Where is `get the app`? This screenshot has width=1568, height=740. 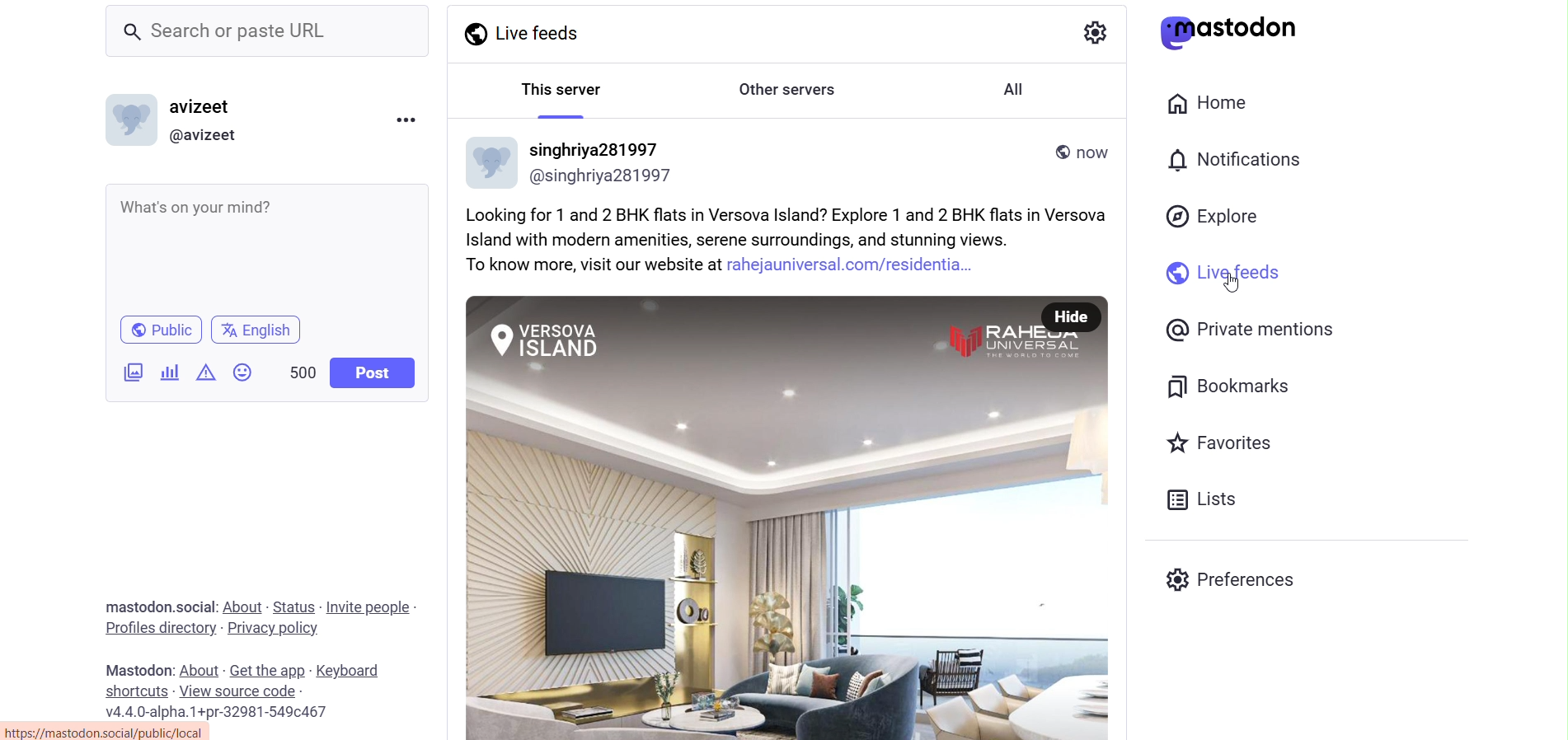 get the app is located at coordinates (268, 670).